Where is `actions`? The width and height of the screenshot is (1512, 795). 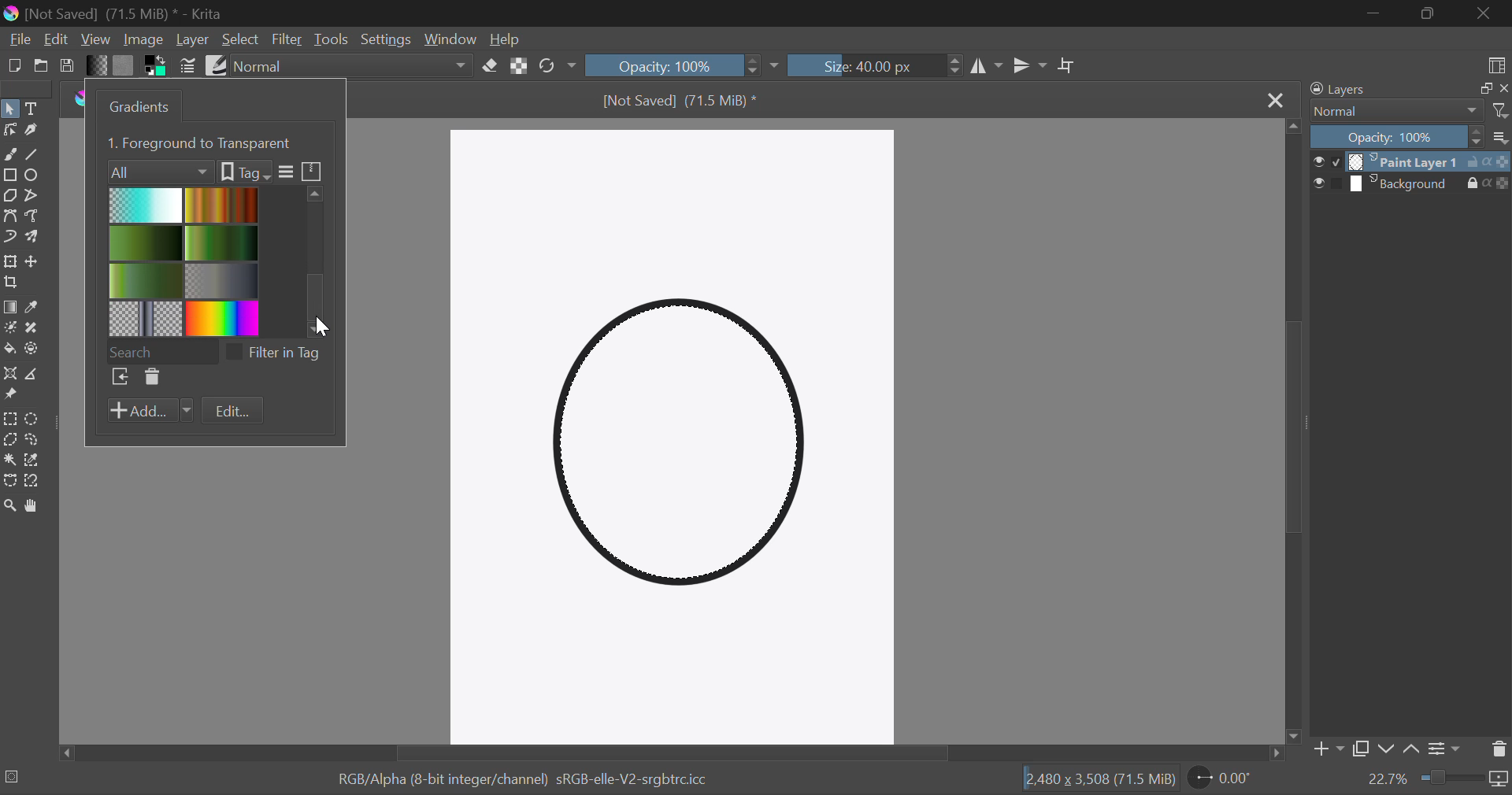
actions is located at coordinates (1488, 162).